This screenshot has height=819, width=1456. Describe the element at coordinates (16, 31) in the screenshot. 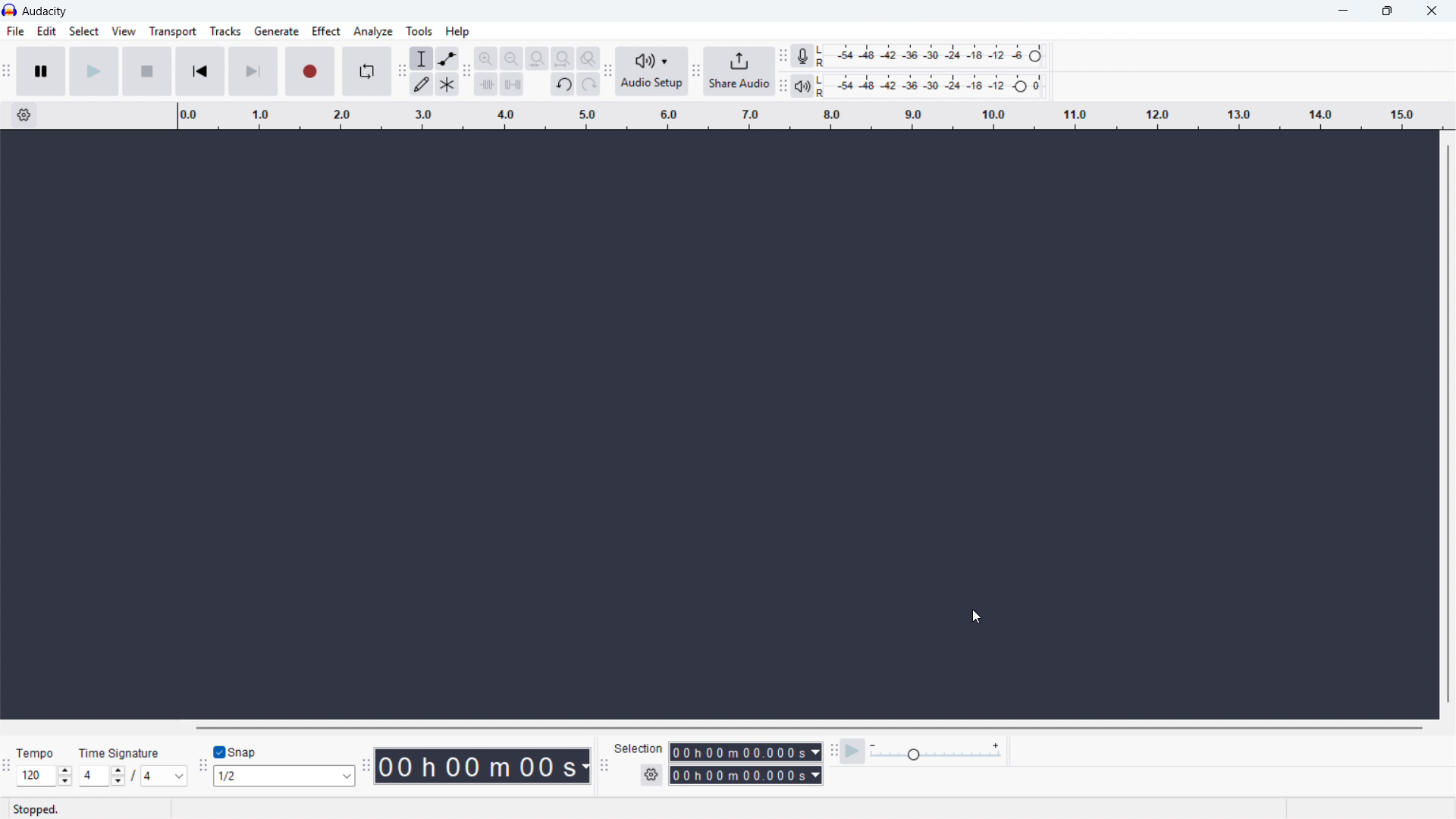

I see `file` at that location.